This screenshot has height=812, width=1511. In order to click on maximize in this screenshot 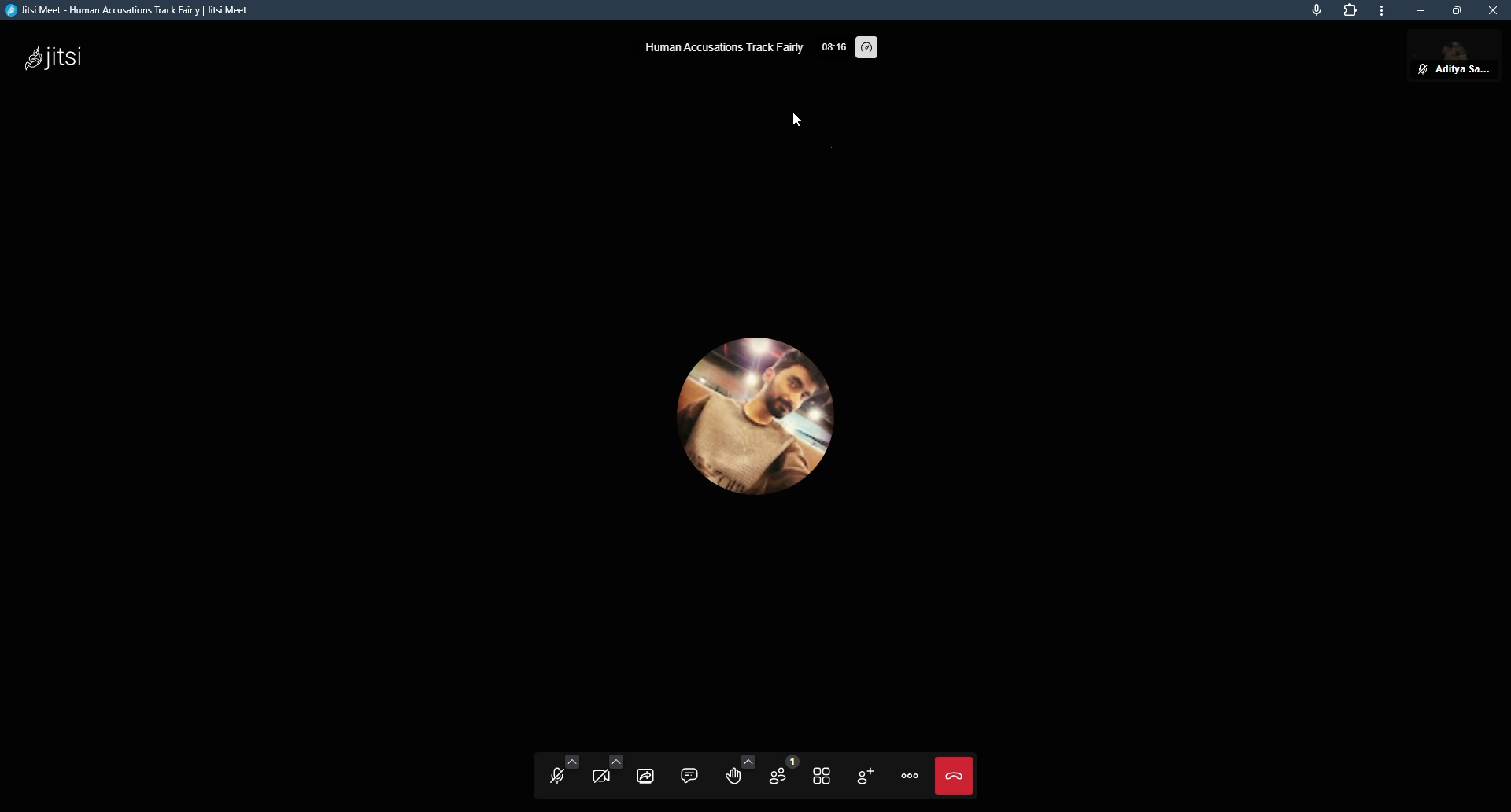, I will do `click(1457, 10)`.